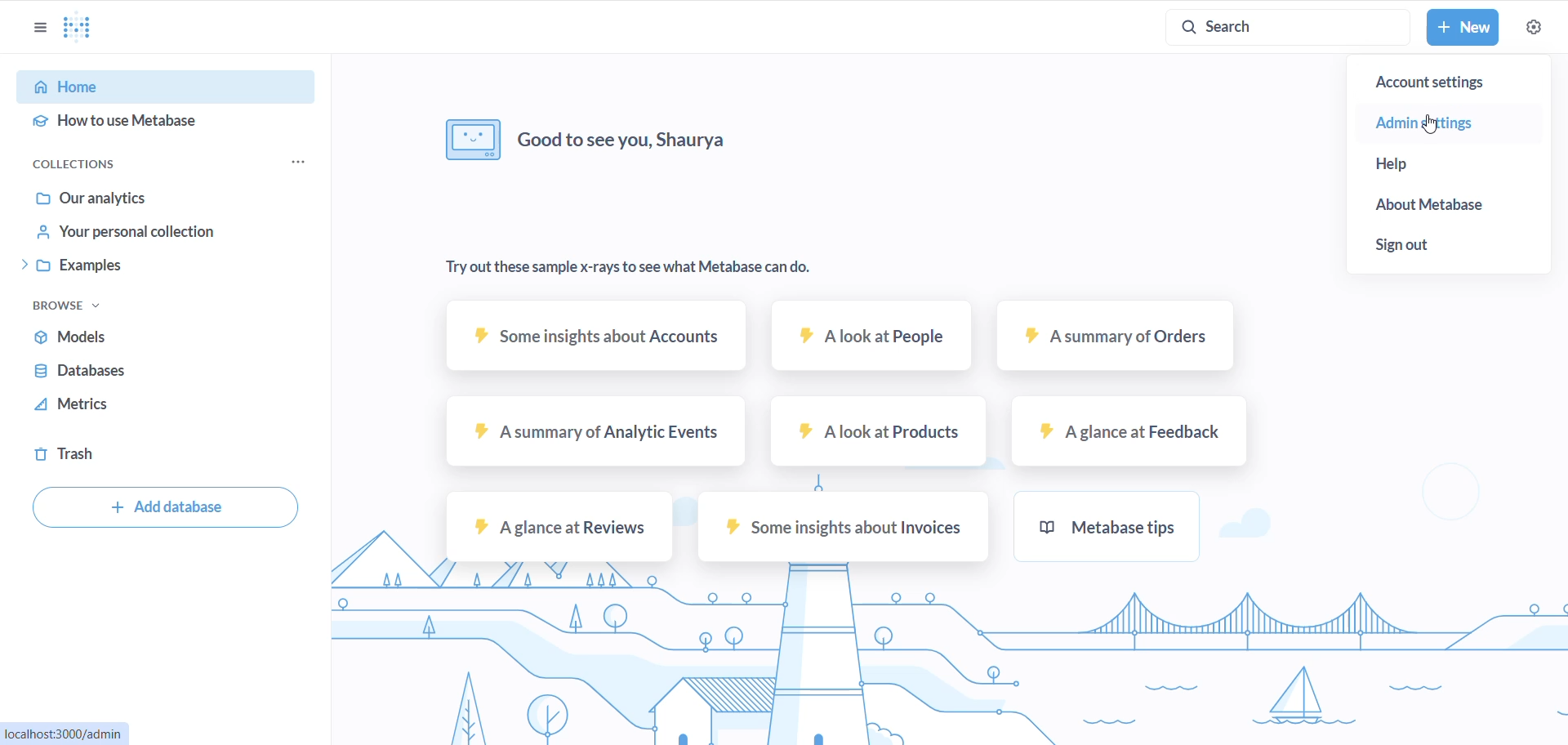  What do you see at coordinates (38, 27) in the screenshot?
I see `OPTIONS` at bounding box center [38, 27].